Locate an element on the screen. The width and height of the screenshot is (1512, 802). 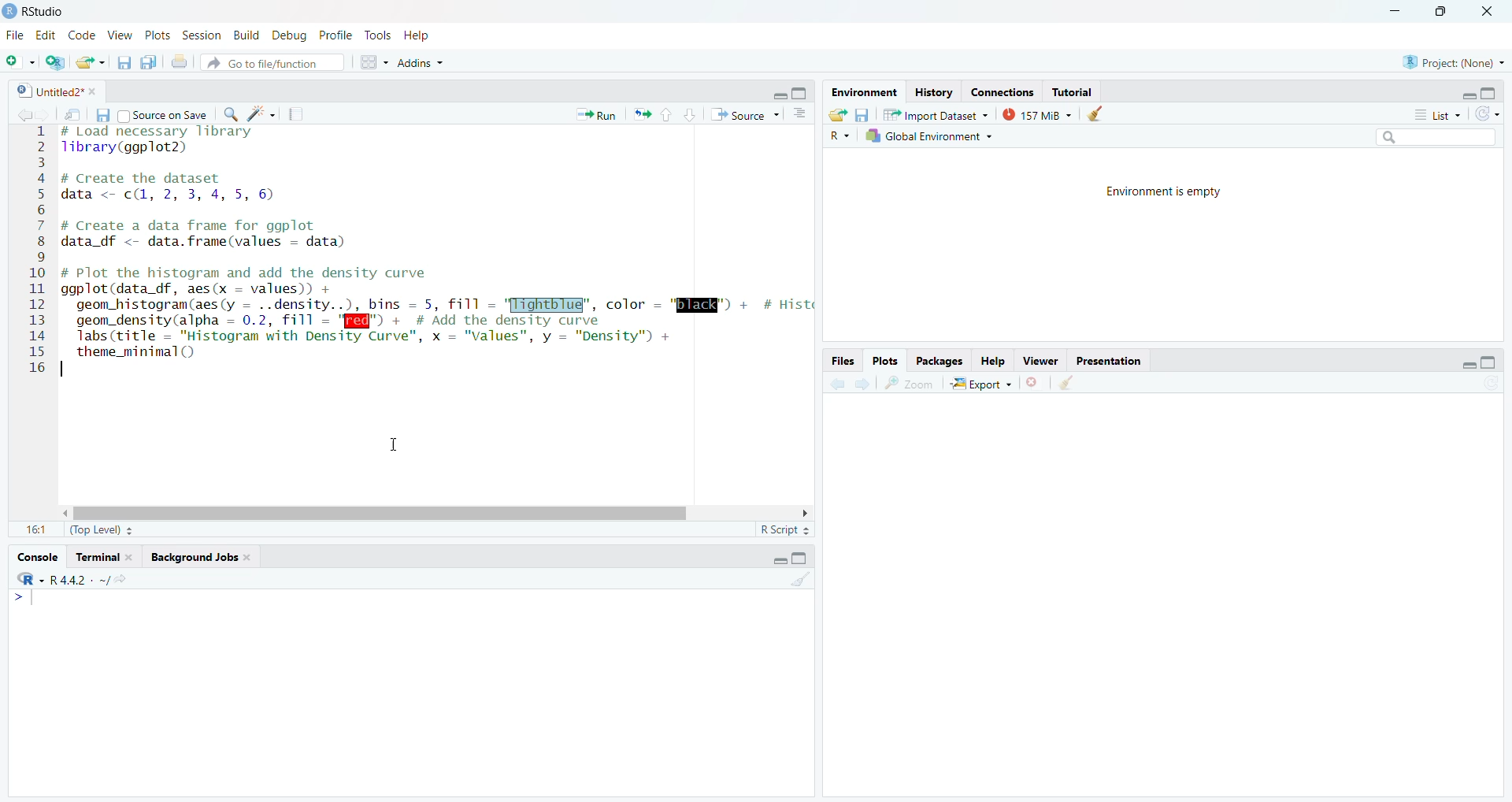
line number is located at coordinates (36, 249).